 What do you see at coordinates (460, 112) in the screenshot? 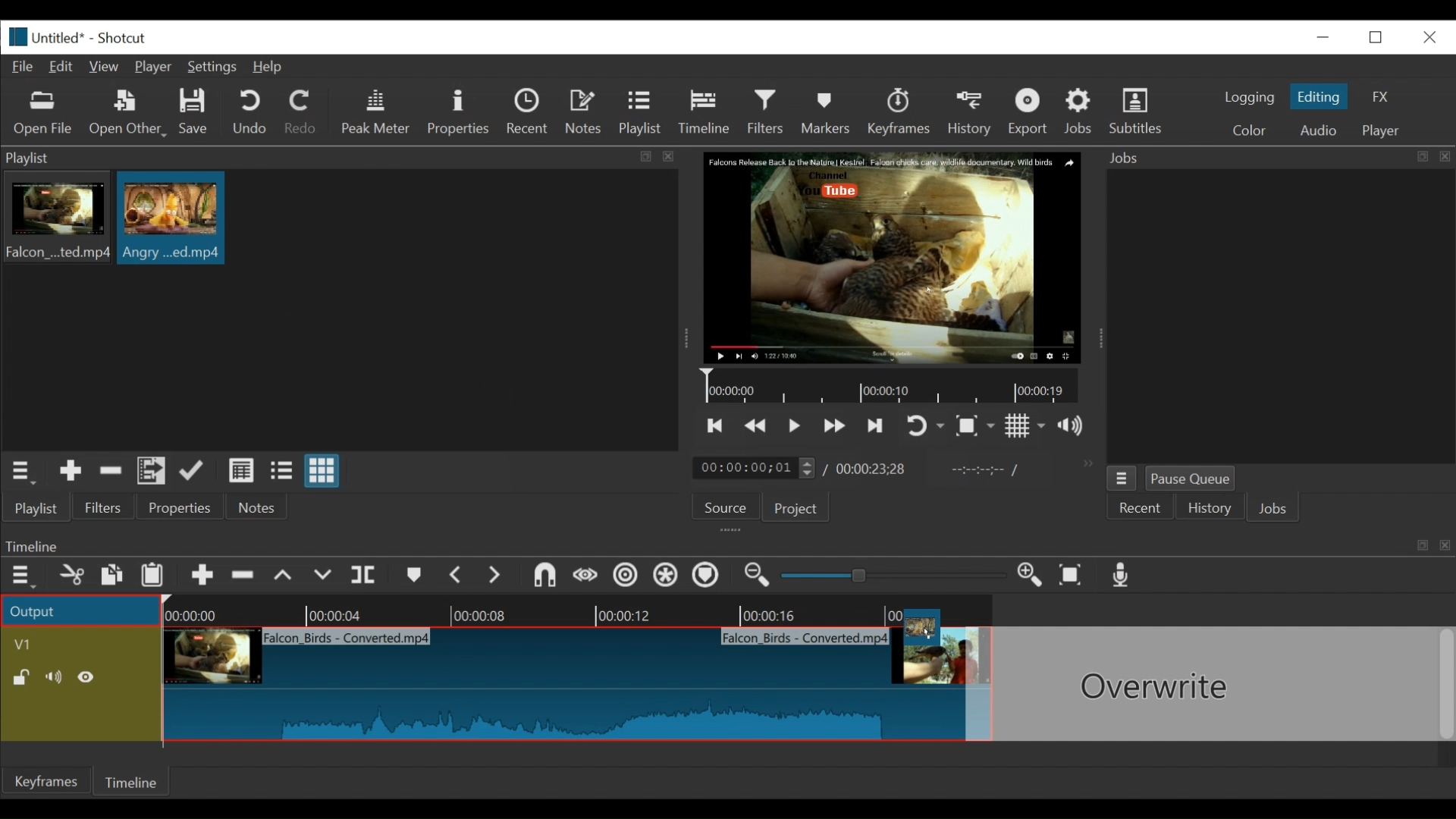
I see `Properties` at bounding box center [460, 112].